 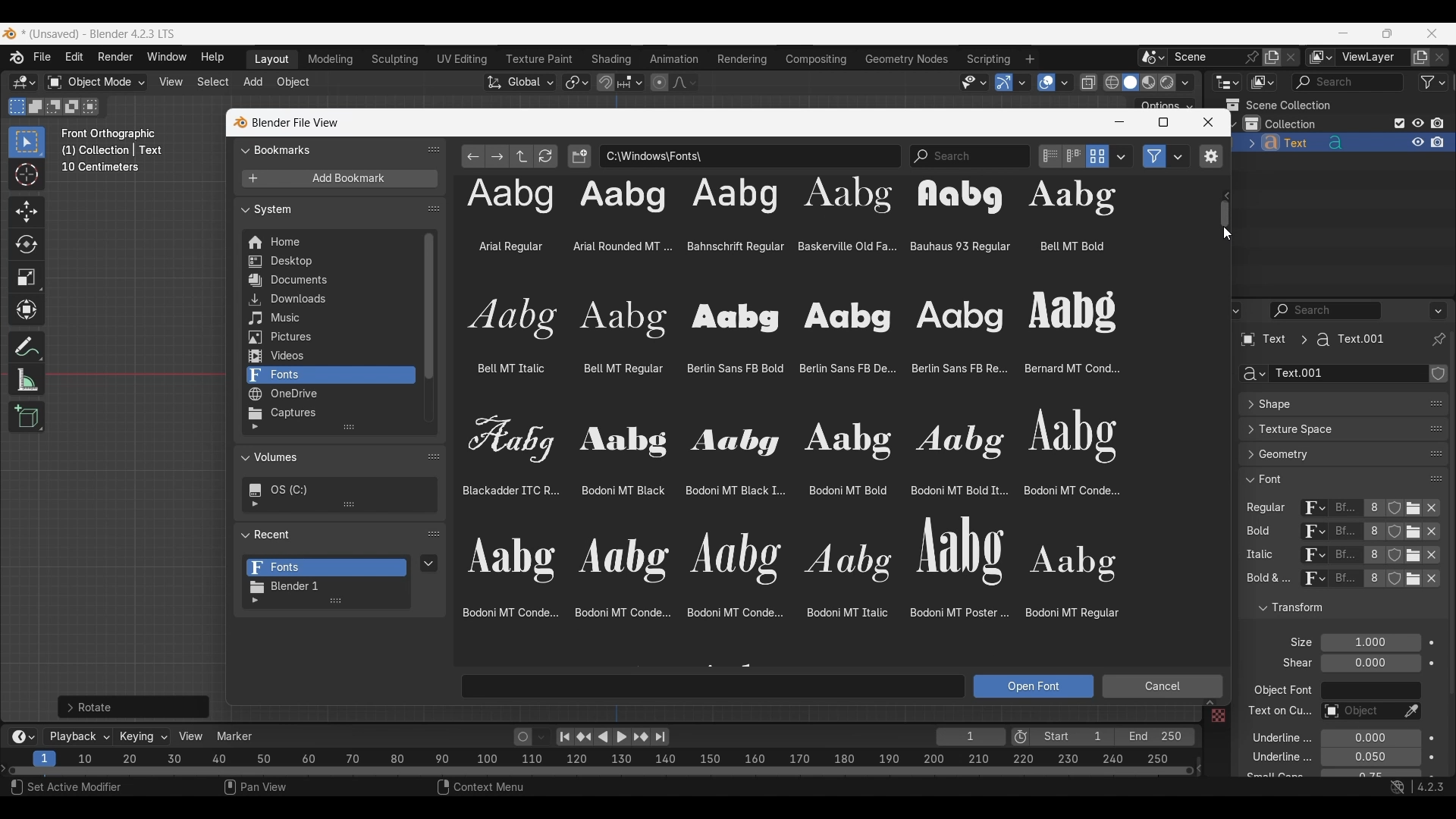 I want to click on Unlink respective attribute, so click(x=1436, y=510).